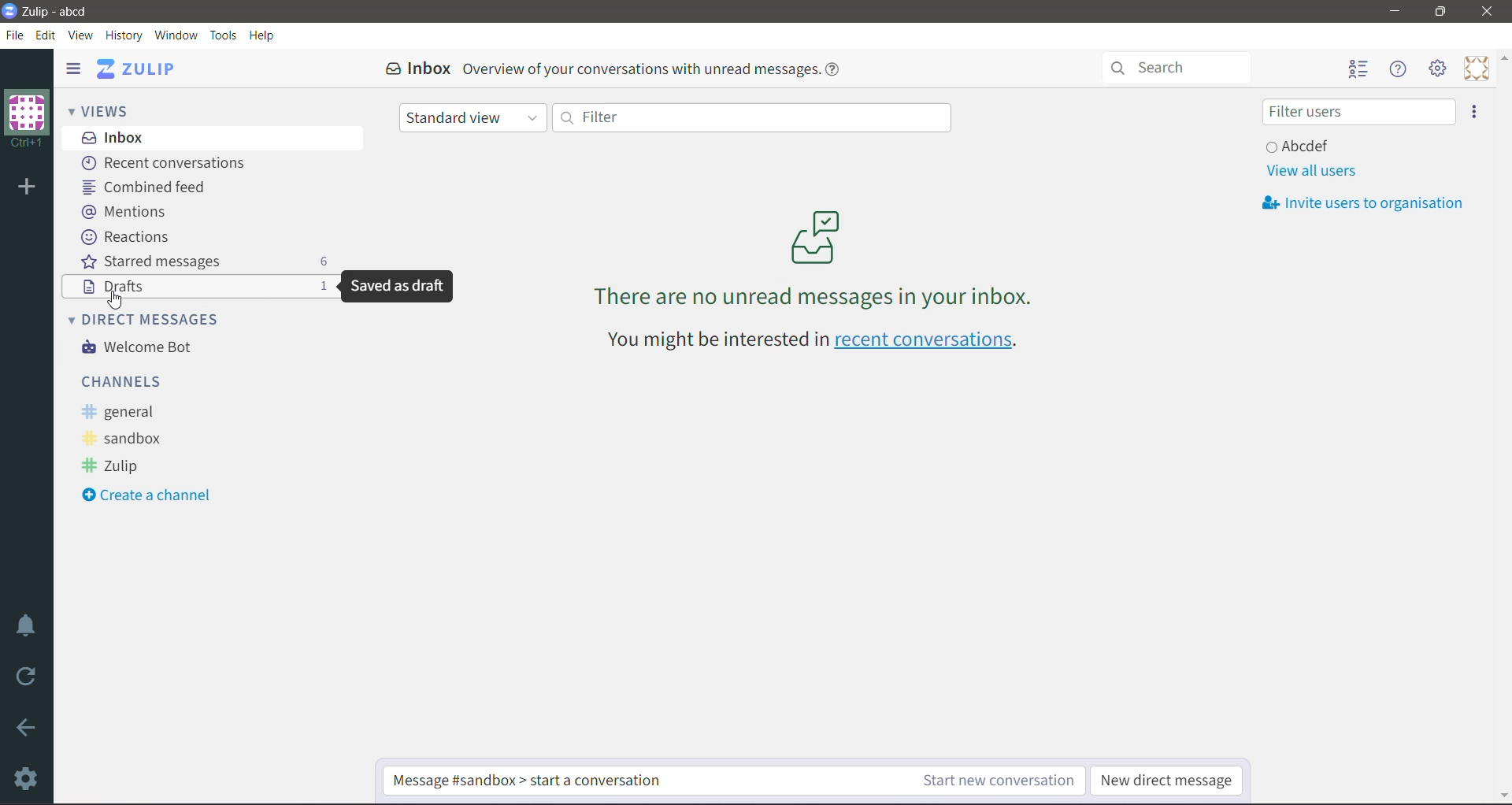 The width and height of the screenshot is (1512, 805). What do you see at coordinates (815, 258) in the screenshot?
I see `There are no unread messages in your inbox` at bounding box center [815, 258].